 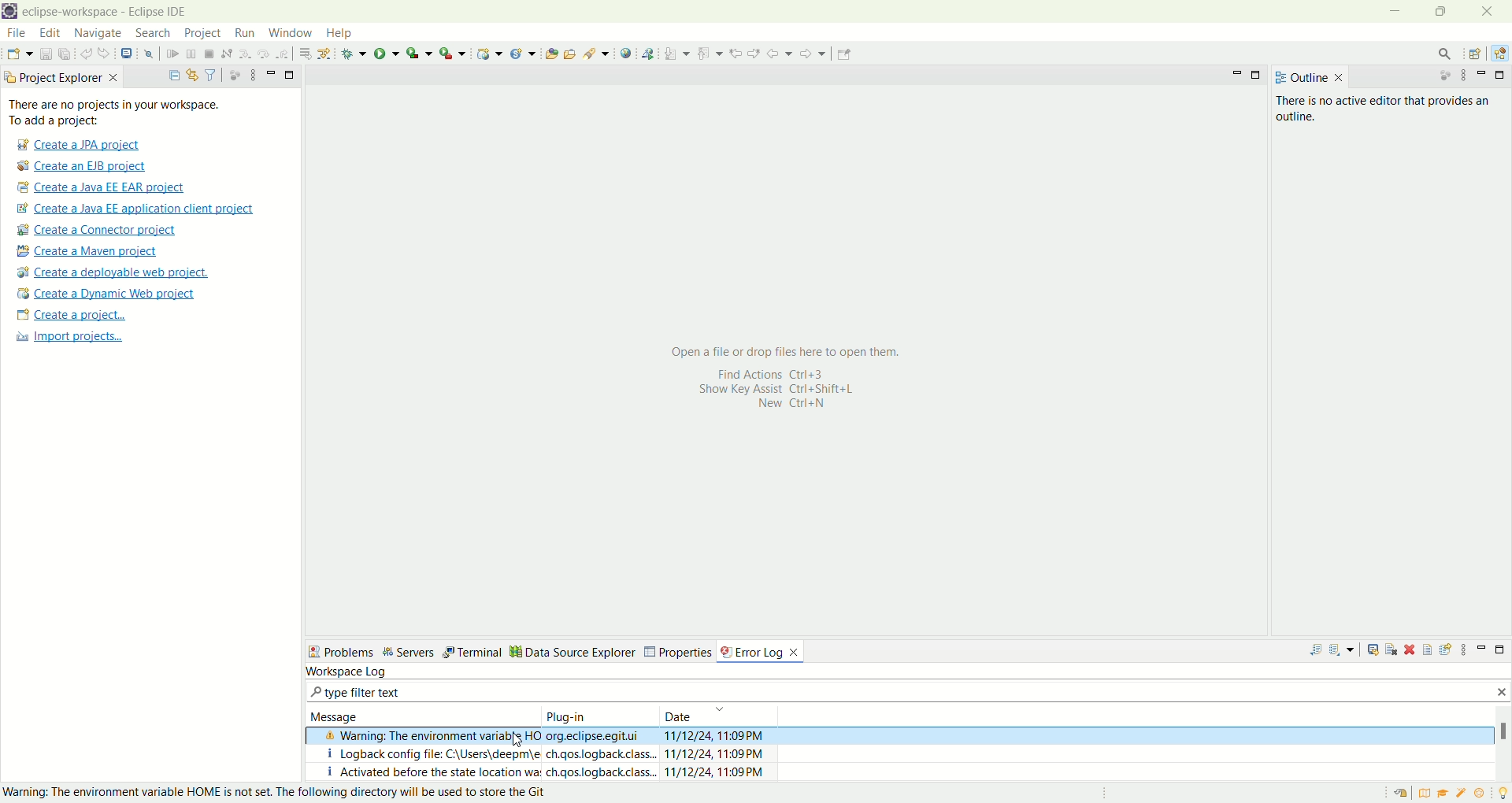 What do you see at coordinates (626, 54) in the screenshot?
I see `open web browser` at bounding box center [626, 54].